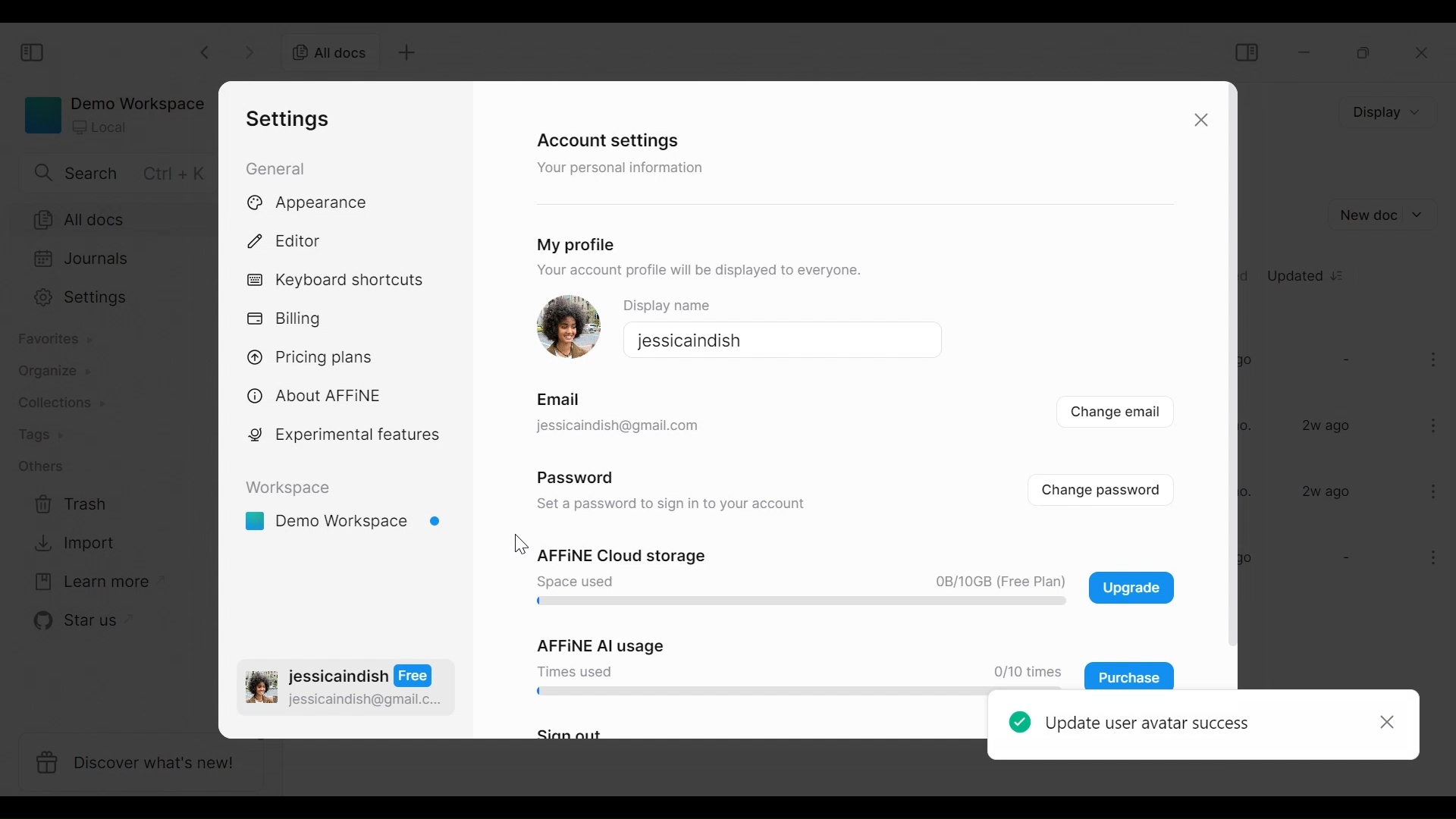 The height and width of the screenshot is (819, 1456). I want to click on Appearance, so click(315, 203).